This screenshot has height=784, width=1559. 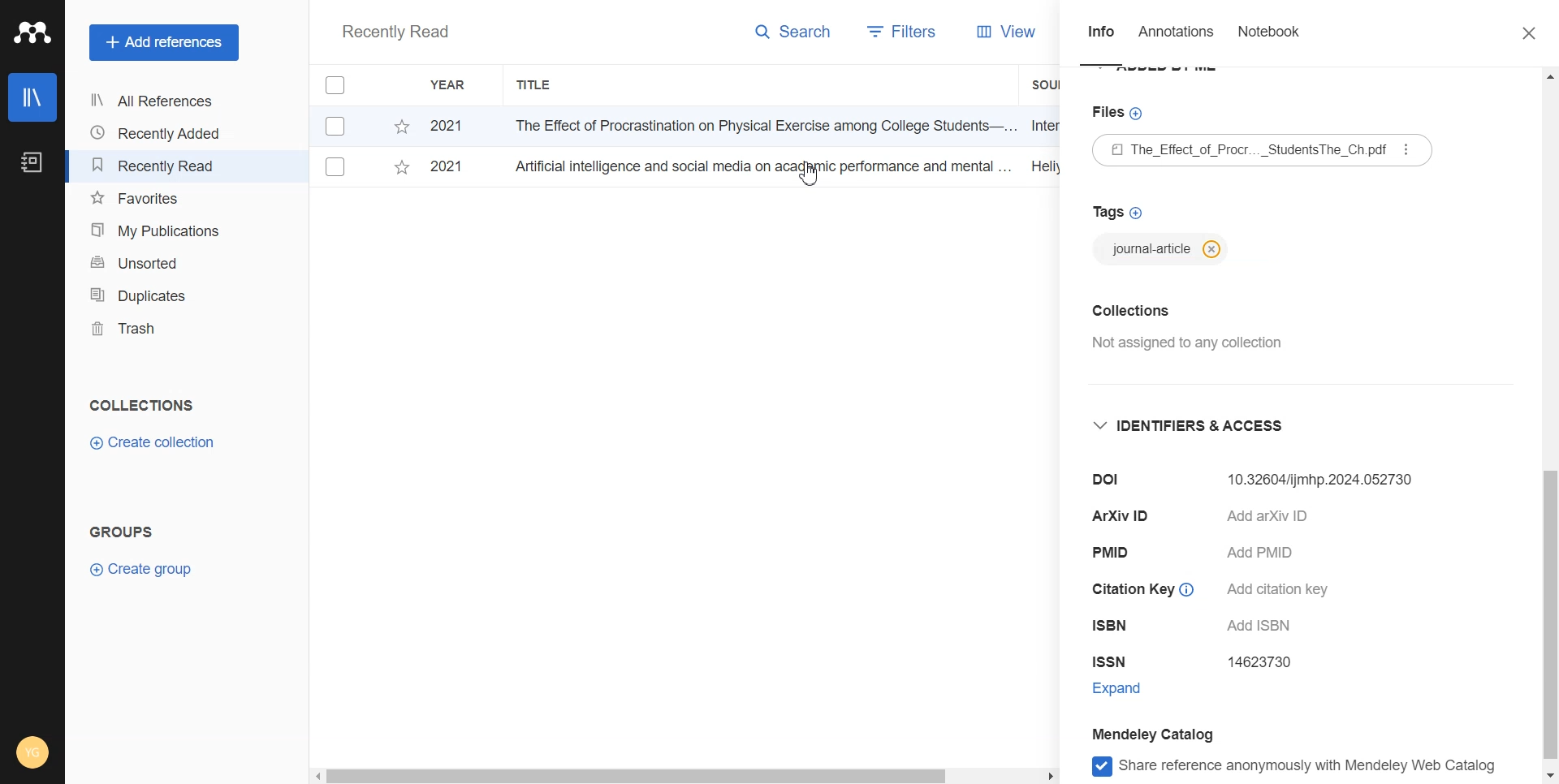 What do you see at coordinates (1172, 733) in the screenshot?
I see `Mendeley Catalog` at bounding box center [1172, 733].